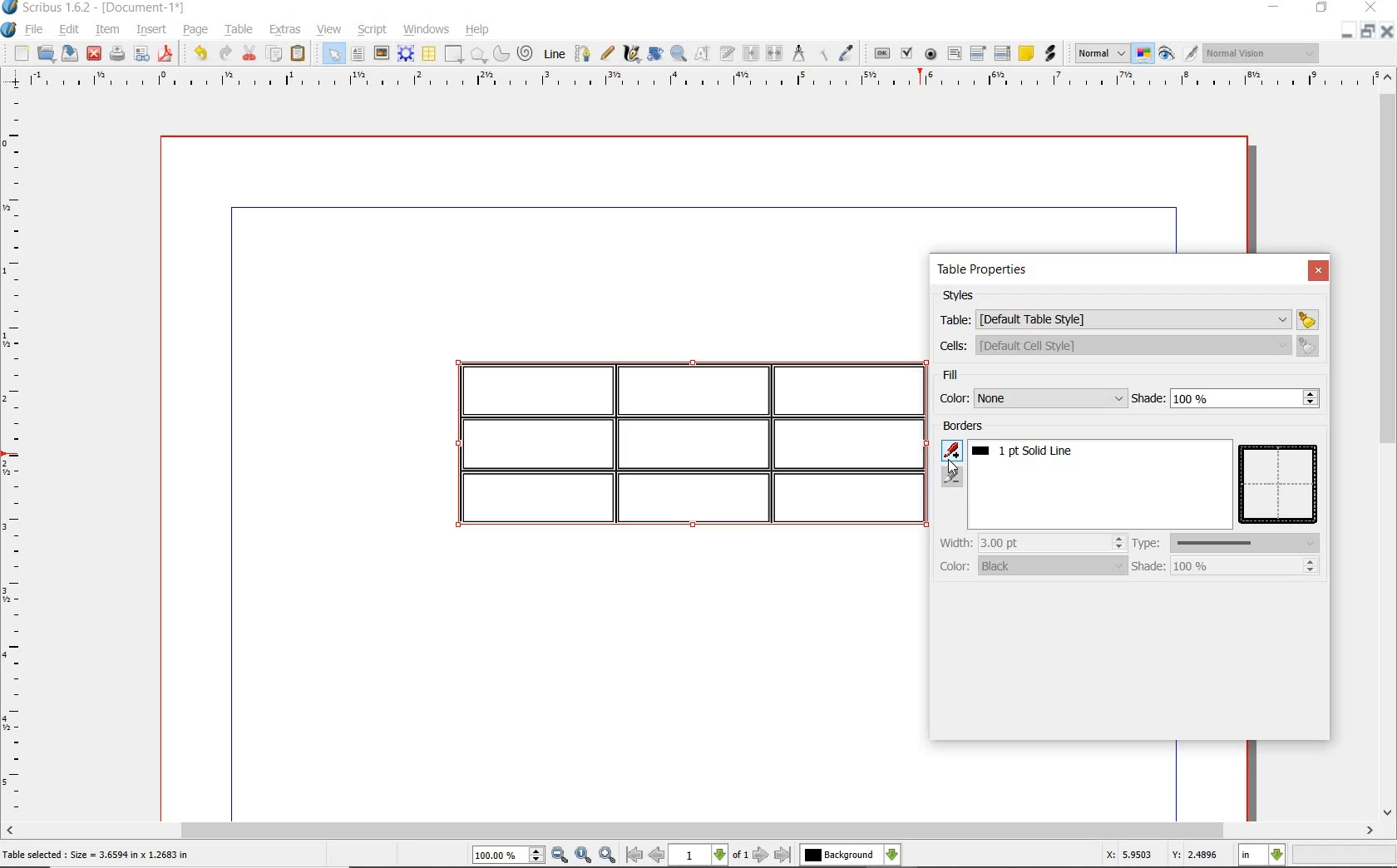 This screenshot has height=868, width=1397. I want to click on line, so click(554, 53).